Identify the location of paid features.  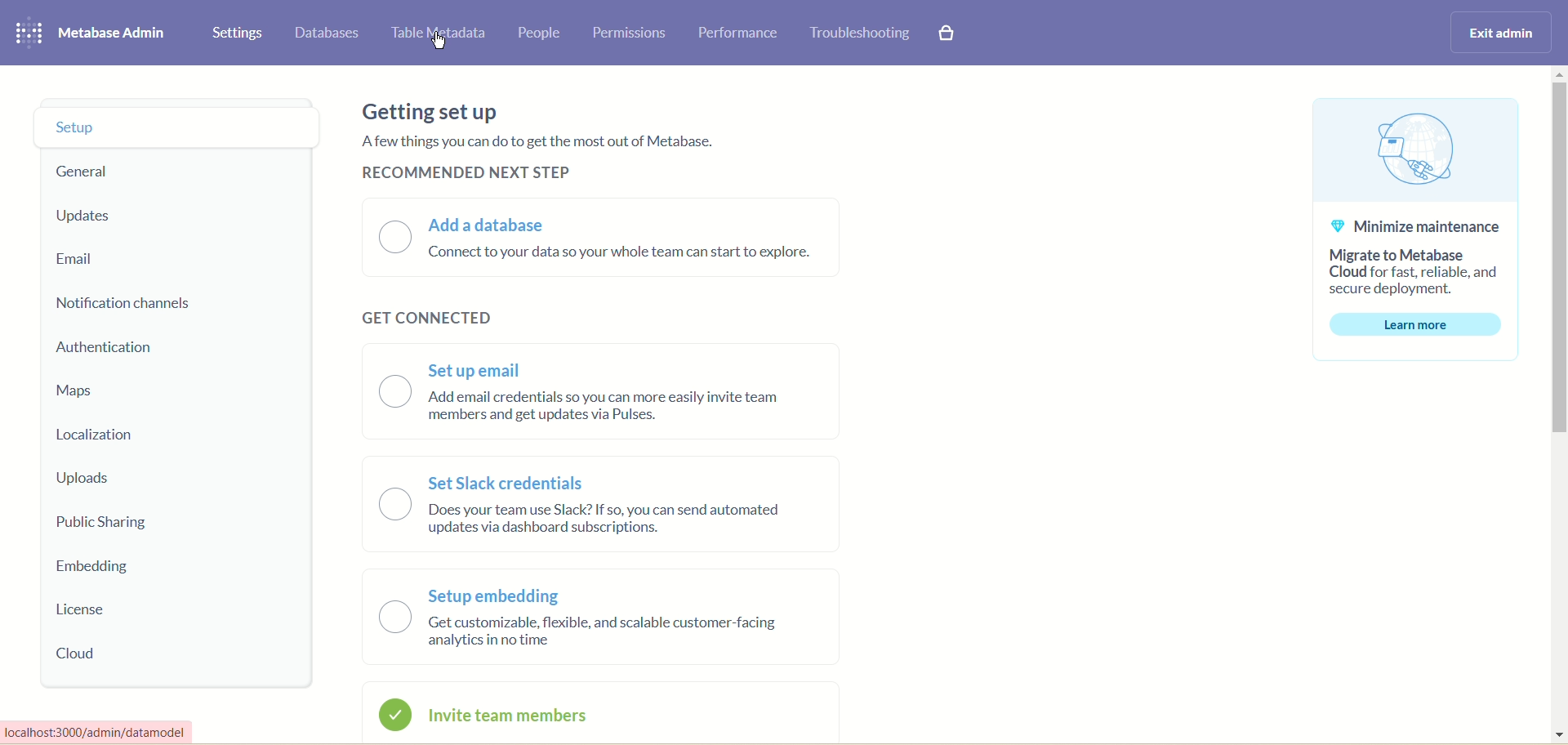
(948, 38).